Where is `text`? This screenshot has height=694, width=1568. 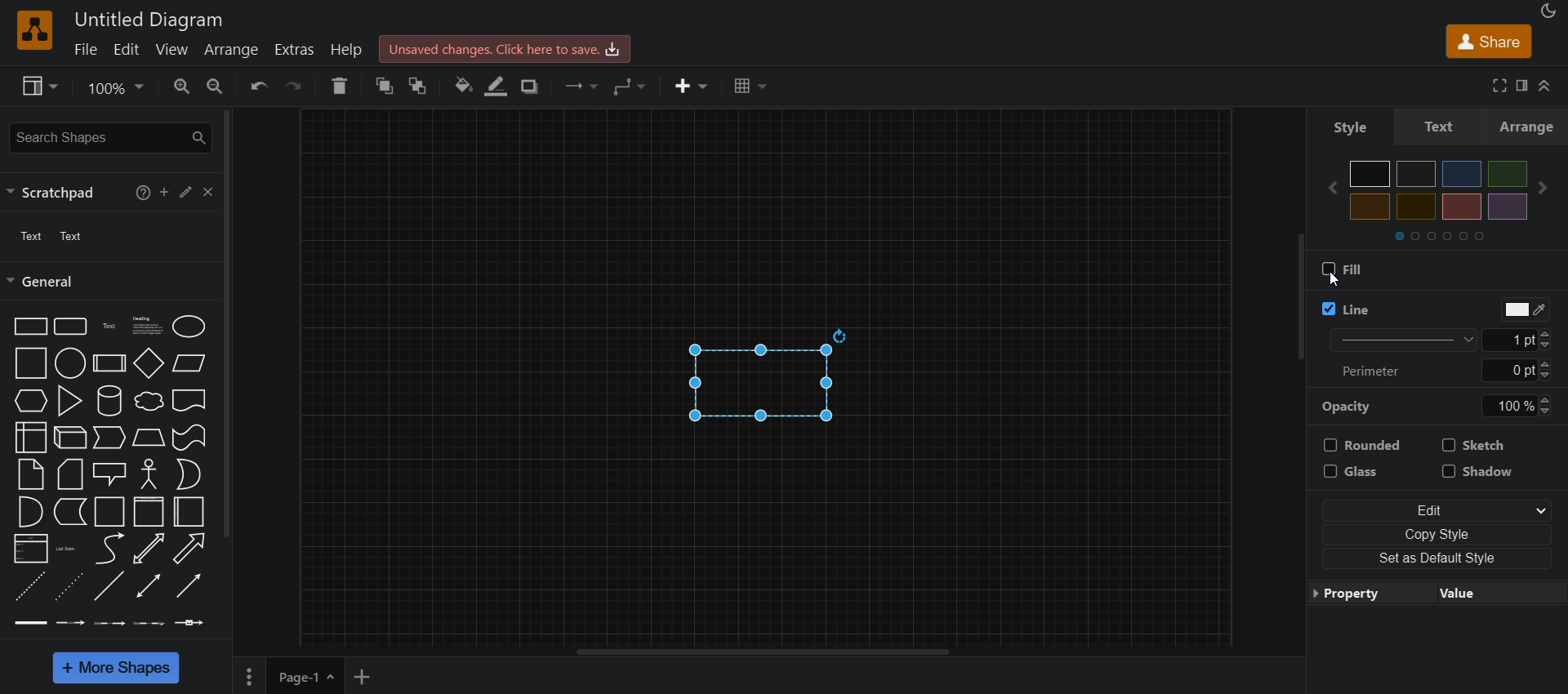 text is located at coordinates (1359, 129).